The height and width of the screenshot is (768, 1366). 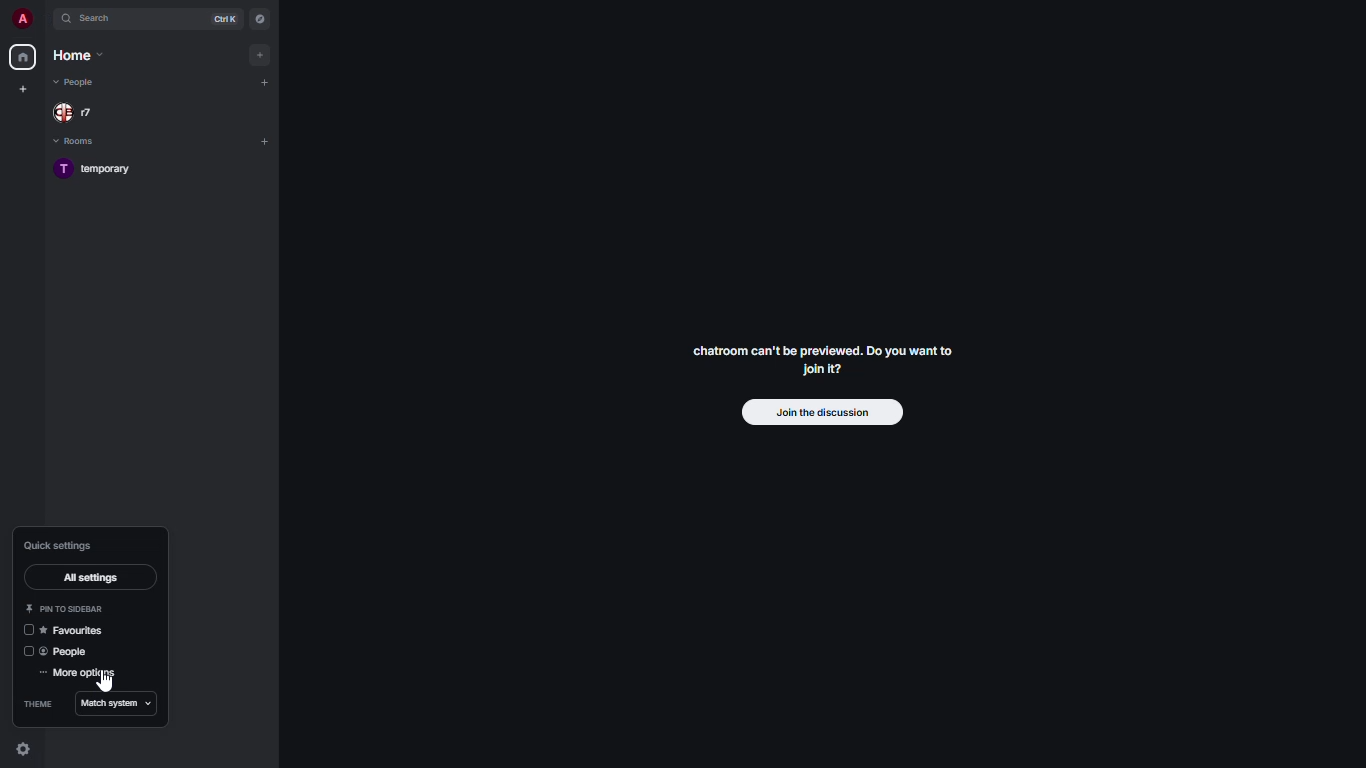 I want to click on add, so click(x=261, y=53).